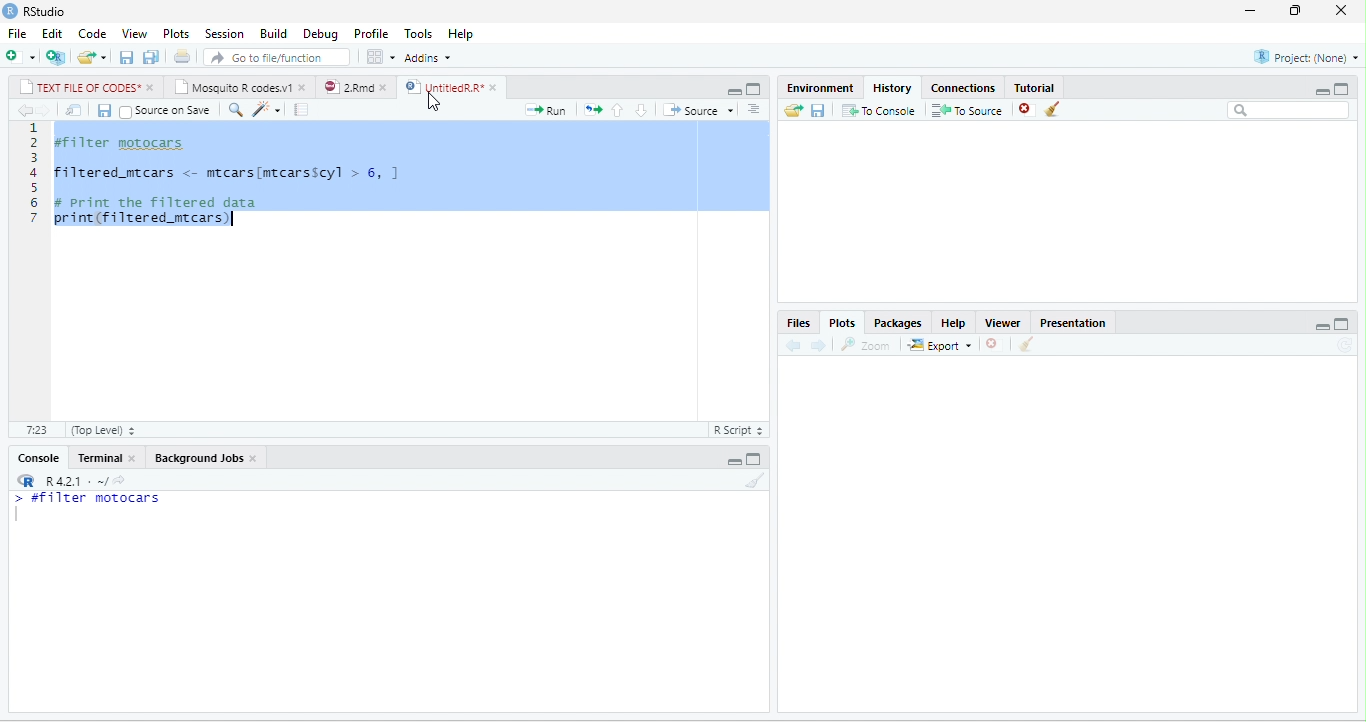  What do you see at coordinates (460, 34) in the screenshot?
I see `Help` at bounding box center [460, 34].